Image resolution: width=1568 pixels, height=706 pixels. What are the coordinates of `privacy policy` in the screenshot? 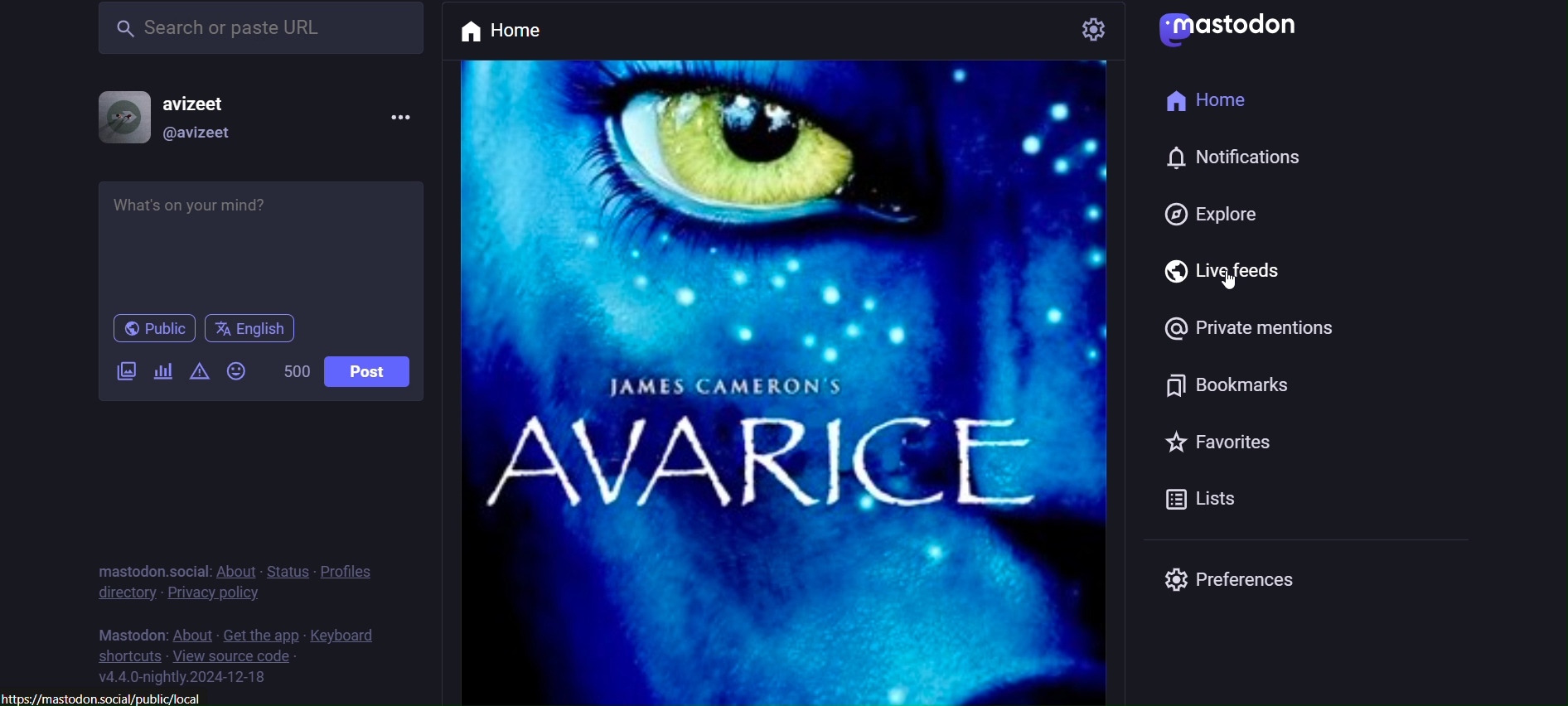 It's located at (211, 594).